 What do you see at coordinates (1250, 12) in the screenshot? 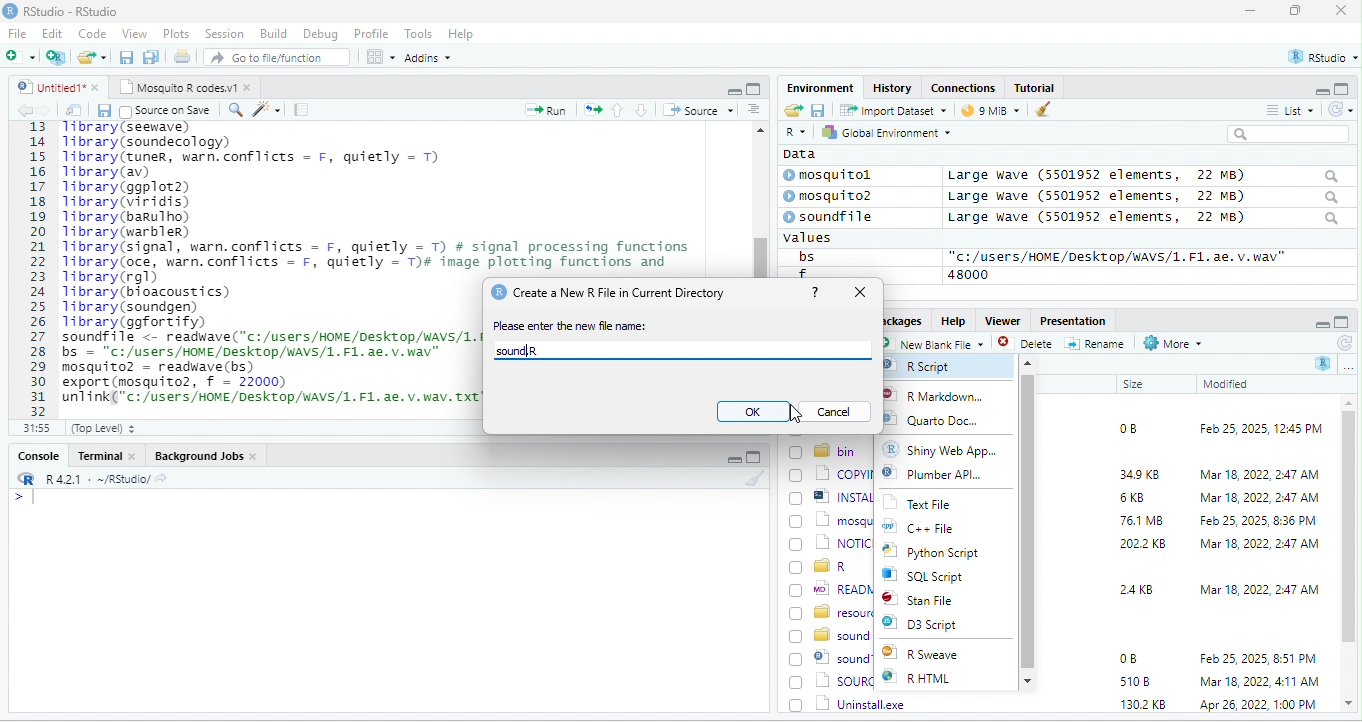
I see `minimize` at bounding box center [1250, 12].